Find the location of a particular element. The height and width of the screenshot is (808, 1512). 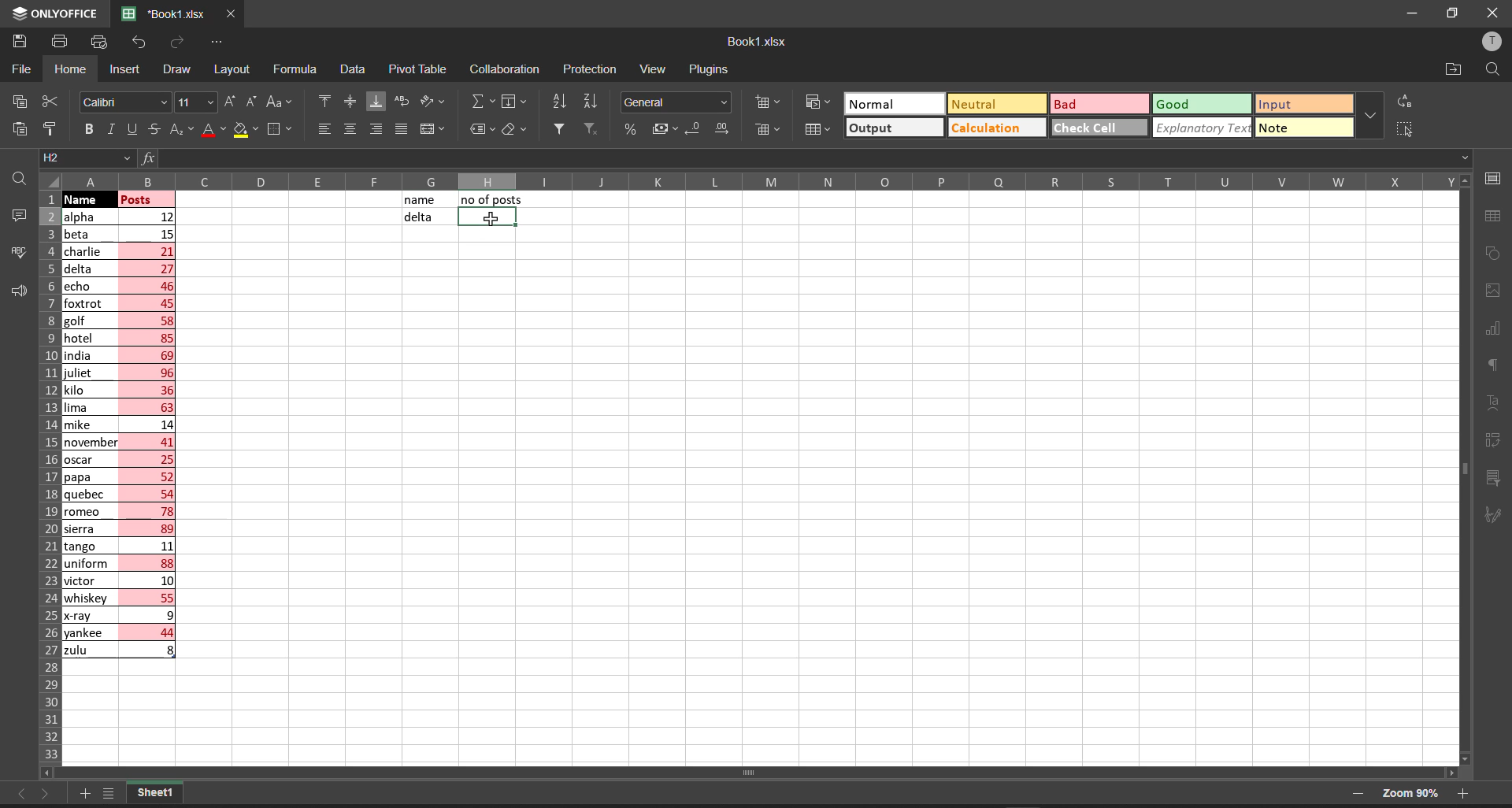

paragraph settings is located at coordinates (1496, 366).